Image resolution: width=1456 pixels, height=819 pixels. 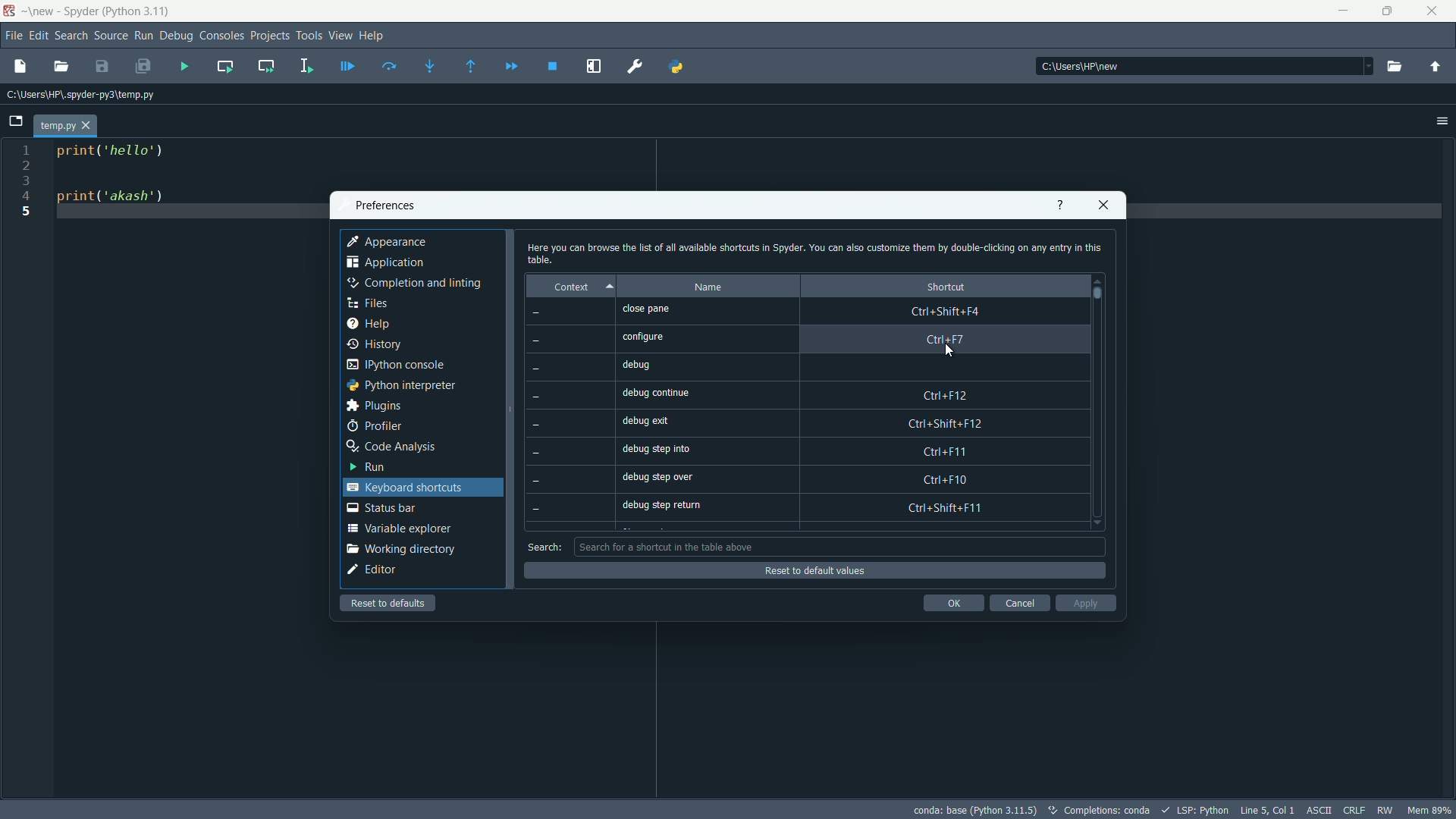 What do you see at coordinates (636, 67) in the screenshot?
I see `preferences` at bounding box center [636, 67].